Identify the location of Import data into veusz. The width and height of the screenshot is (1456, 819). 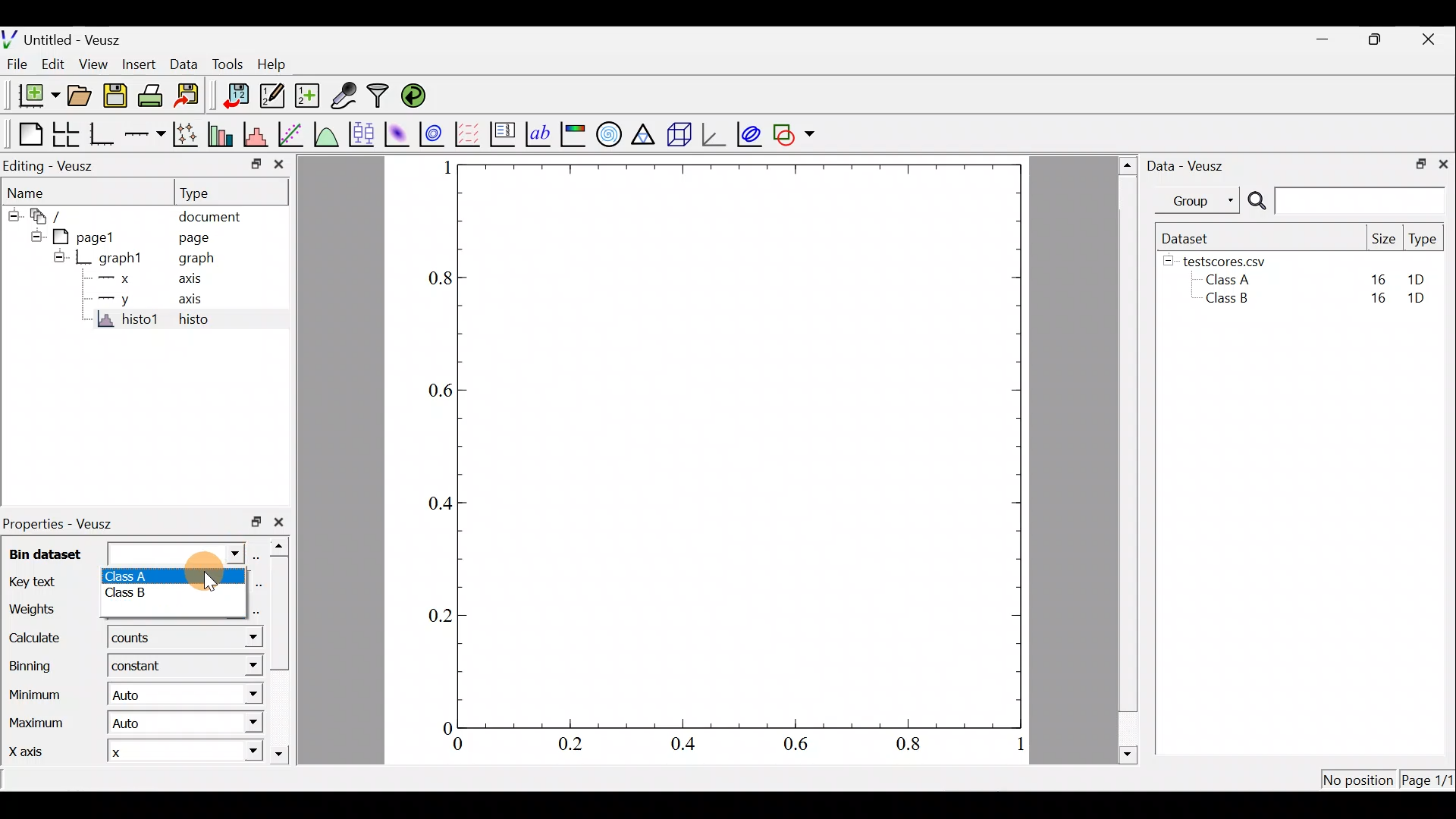
(235, 96).